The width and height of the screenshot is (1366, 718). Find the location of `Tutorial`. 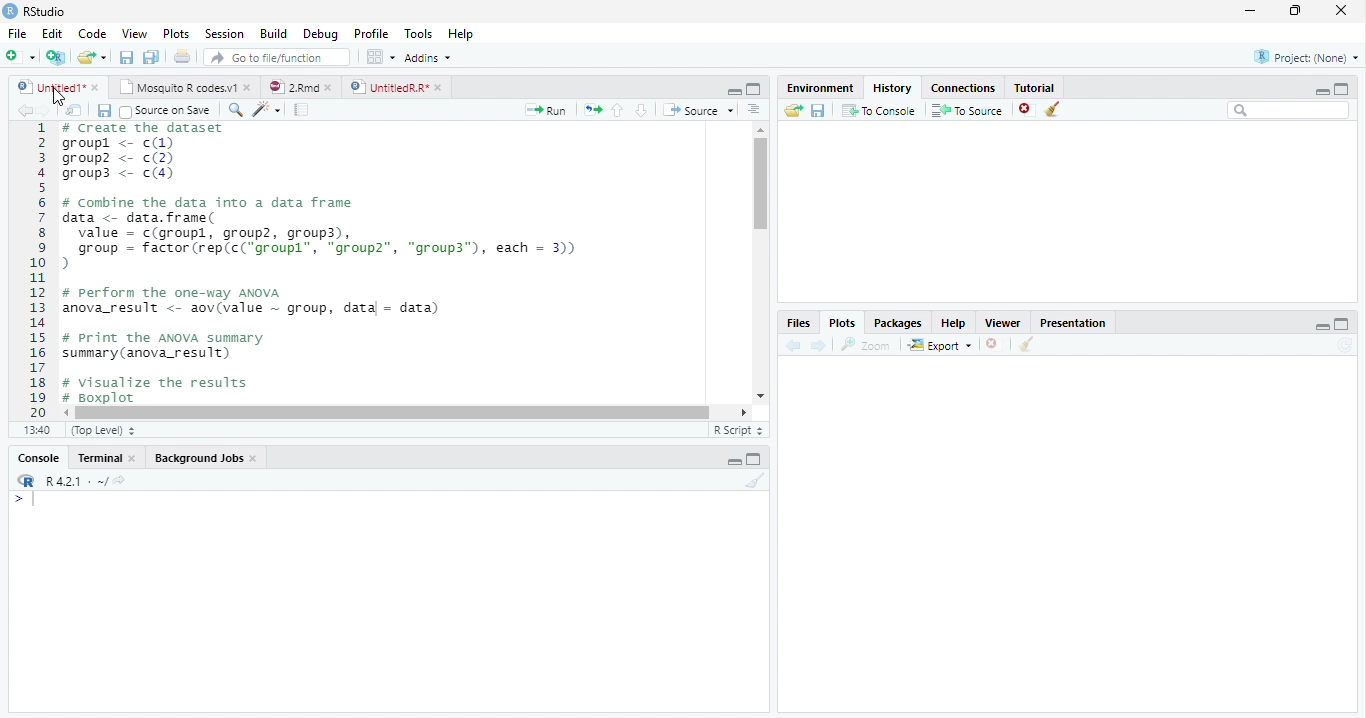

Tutorial is located at coordinates (1036, 86).